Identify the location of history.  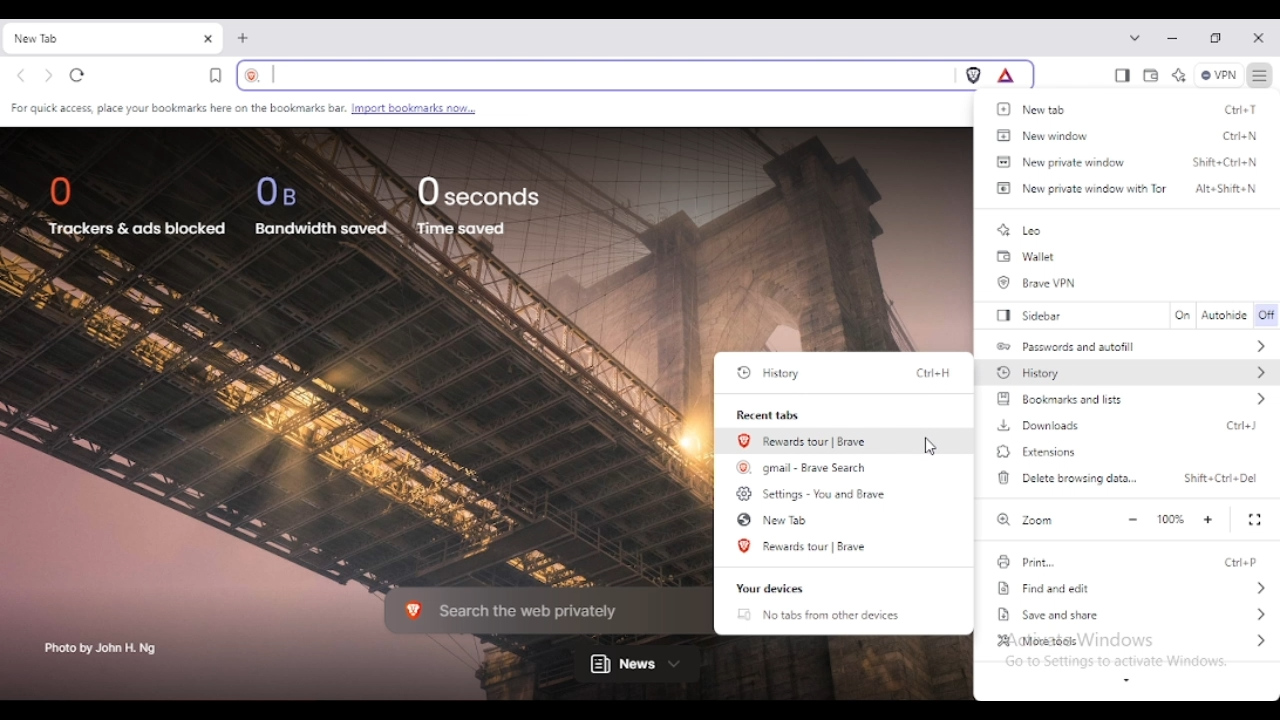
(772, 373).